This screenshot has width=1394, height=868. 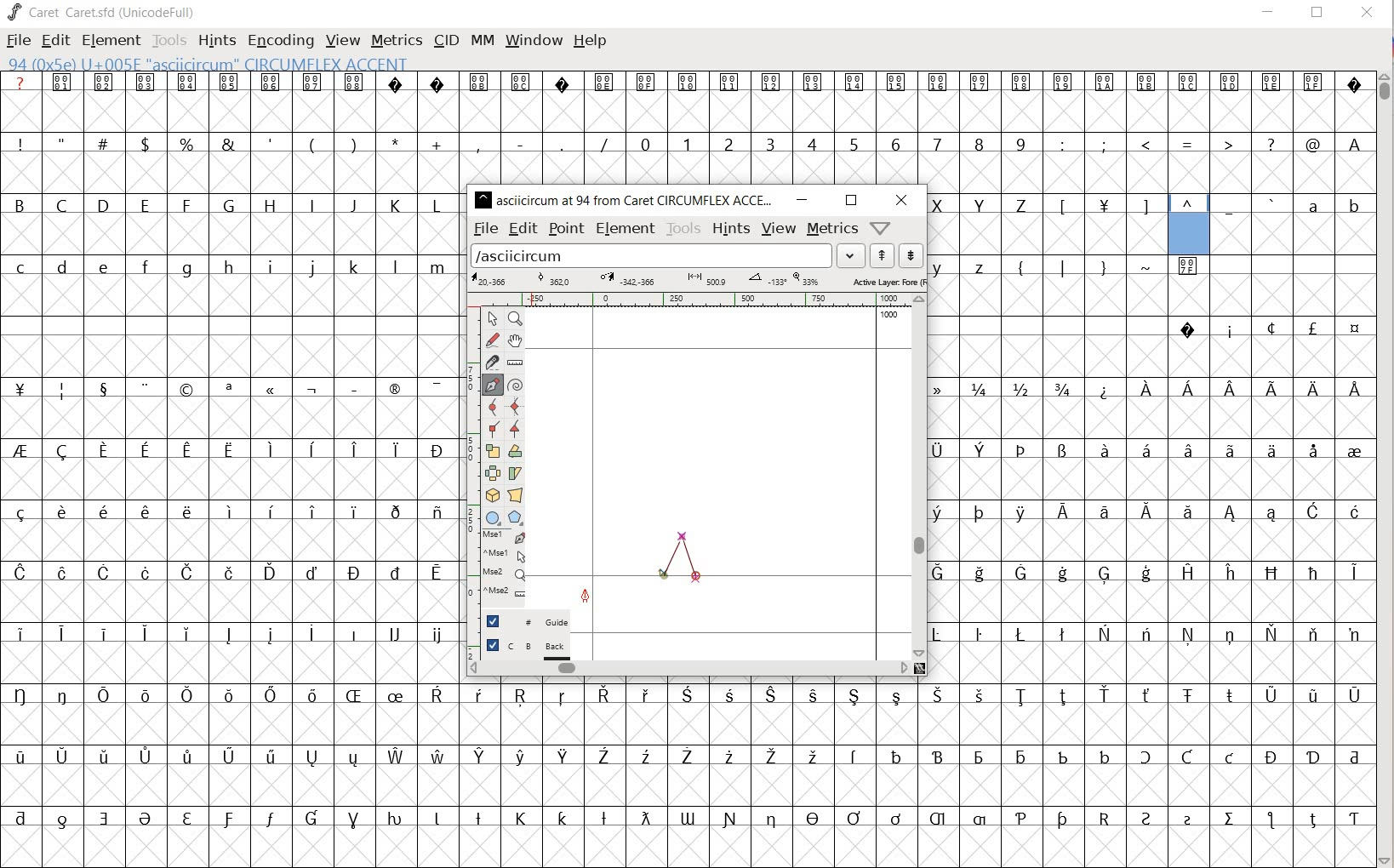 What do you see at coordinates (490, 363) in the screenshot?
I see `cut splines in two` at bounding box center [490, 363].